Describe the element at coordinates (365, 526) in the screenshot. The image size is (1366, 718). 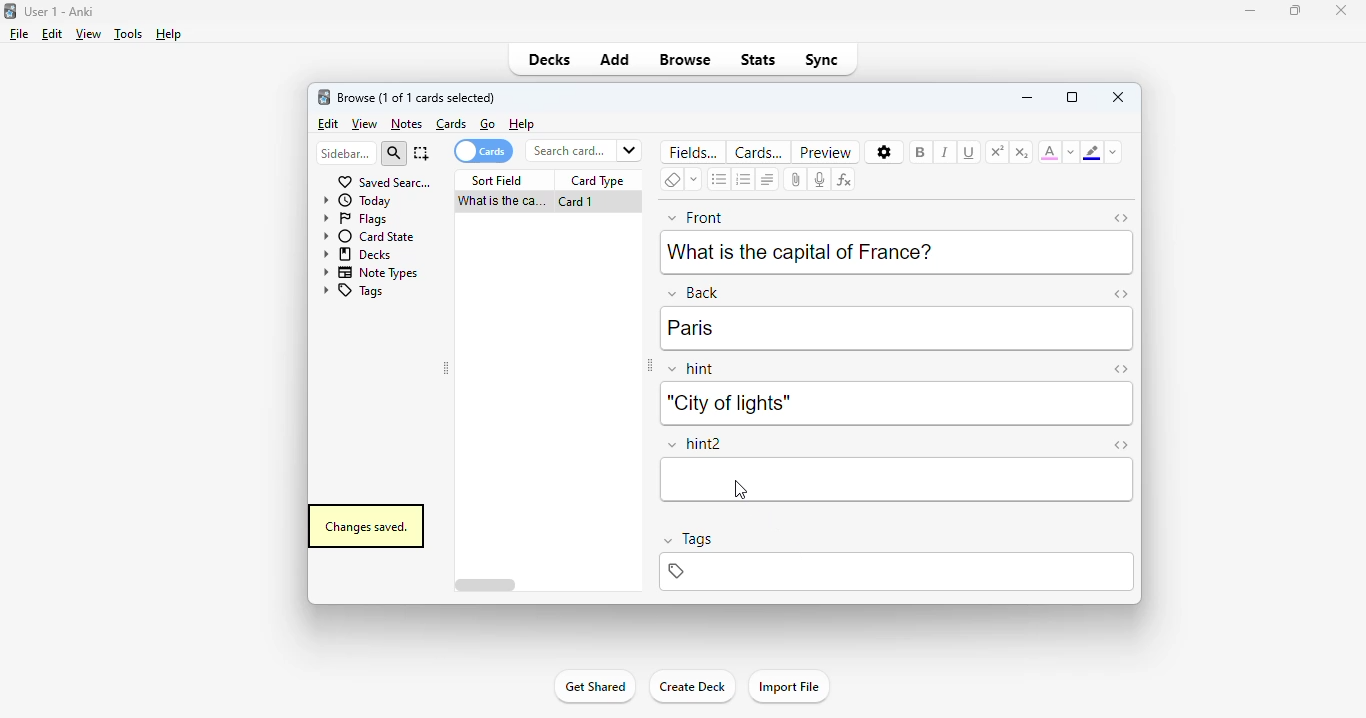
I see `changes saved` at that location.